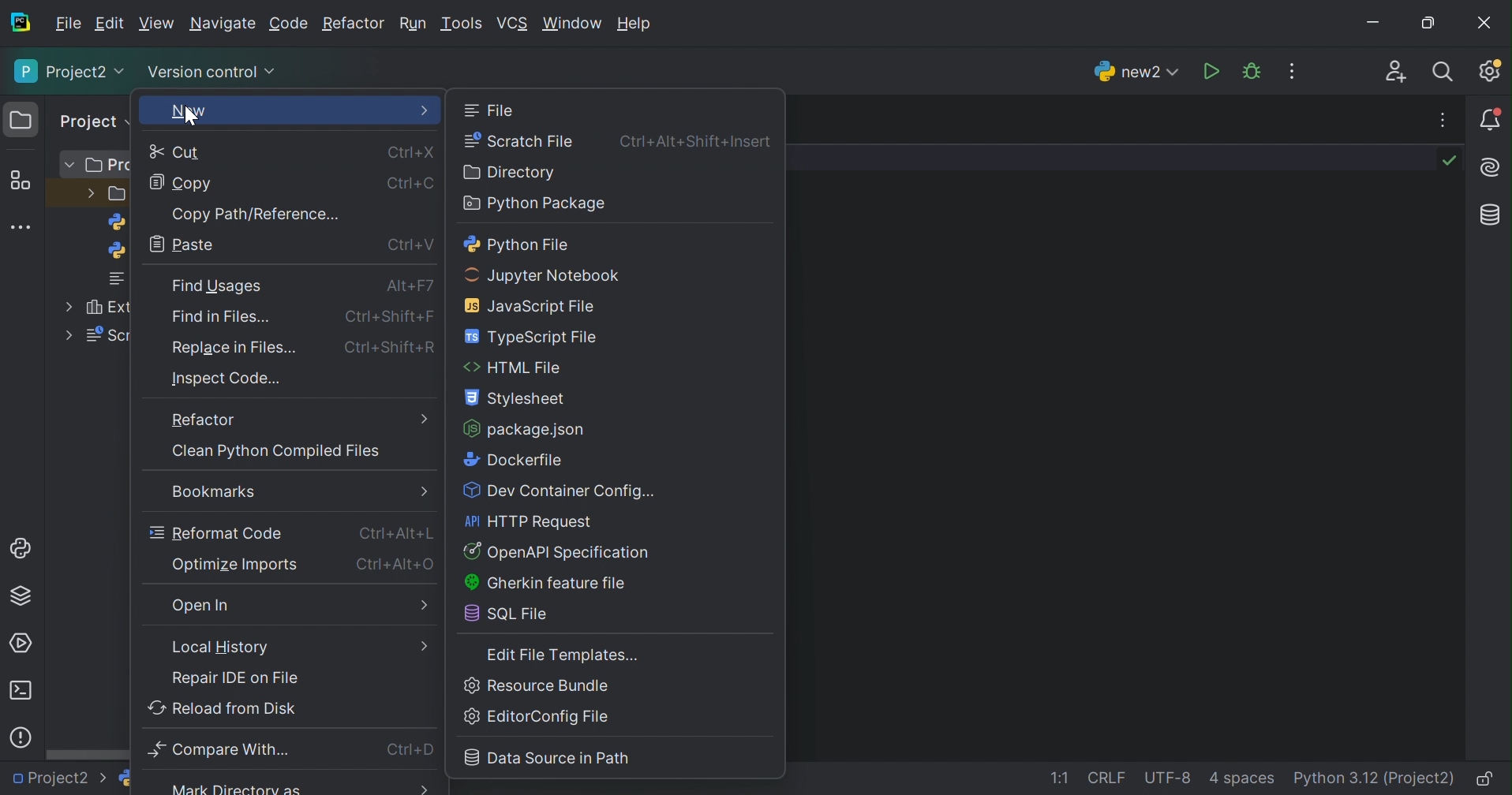 The width and height of the screenshot is (1512, 795). What do you see at coordinates (414, 21) in the screenshot?
I see `Run` at bounding box center [414, 21].